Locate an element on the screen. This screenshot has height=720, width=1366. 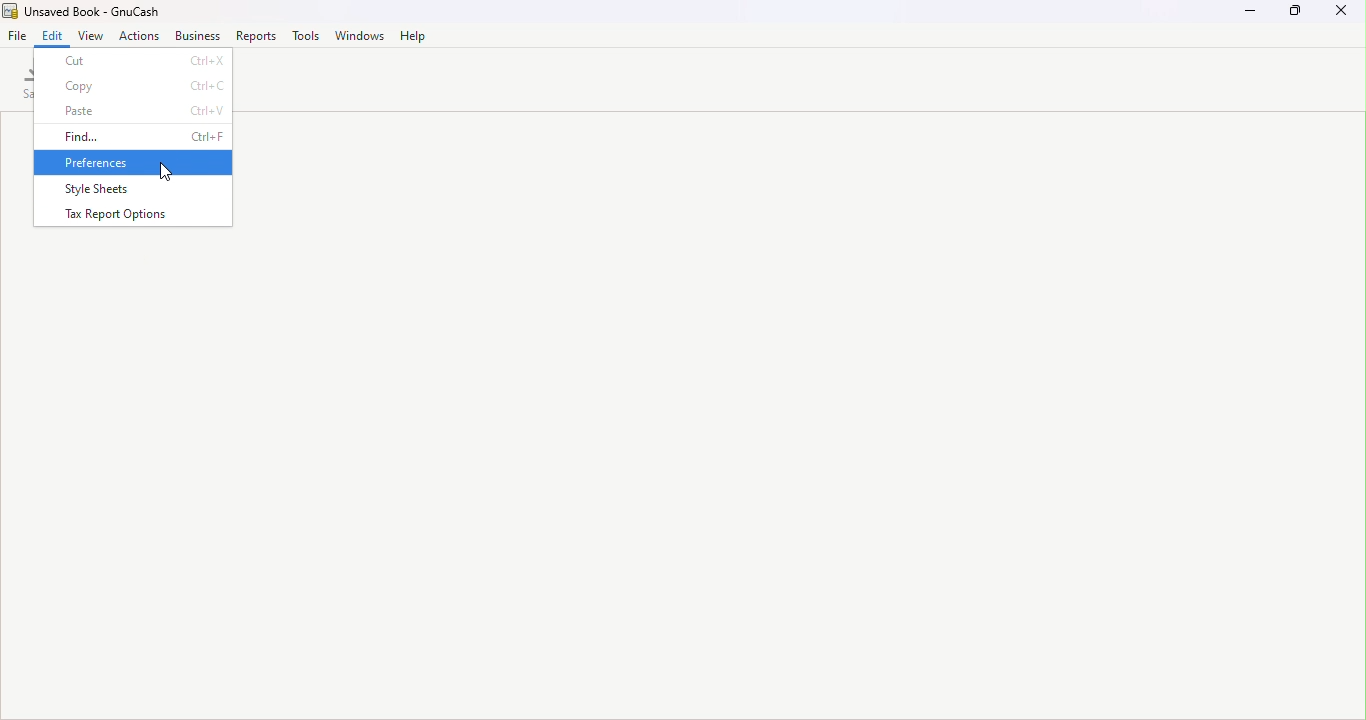
File name is located at coordinates (102, 12).